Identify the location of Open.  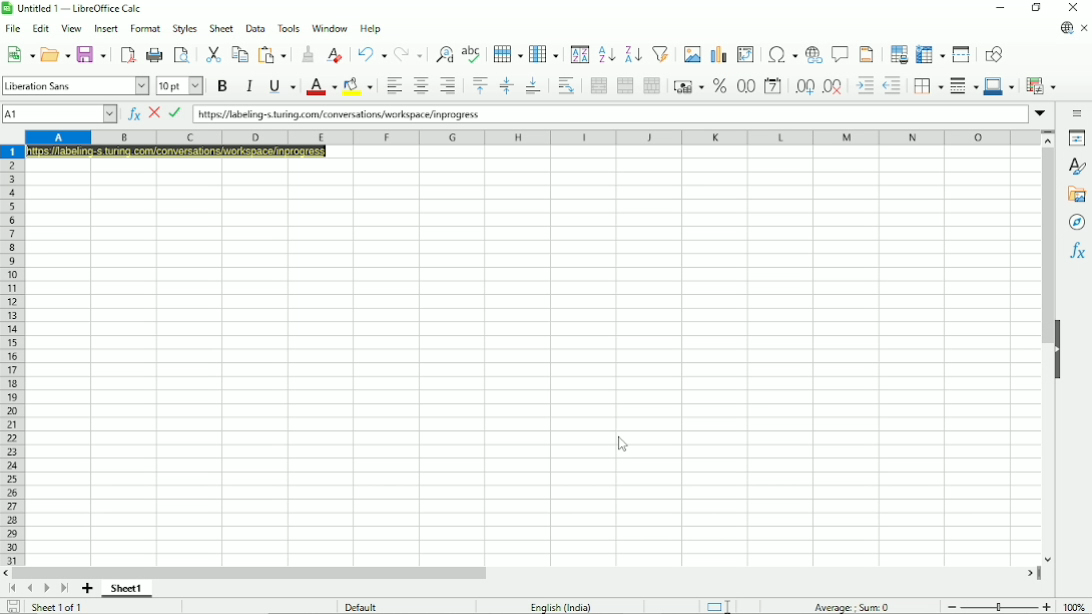
(55, 53).